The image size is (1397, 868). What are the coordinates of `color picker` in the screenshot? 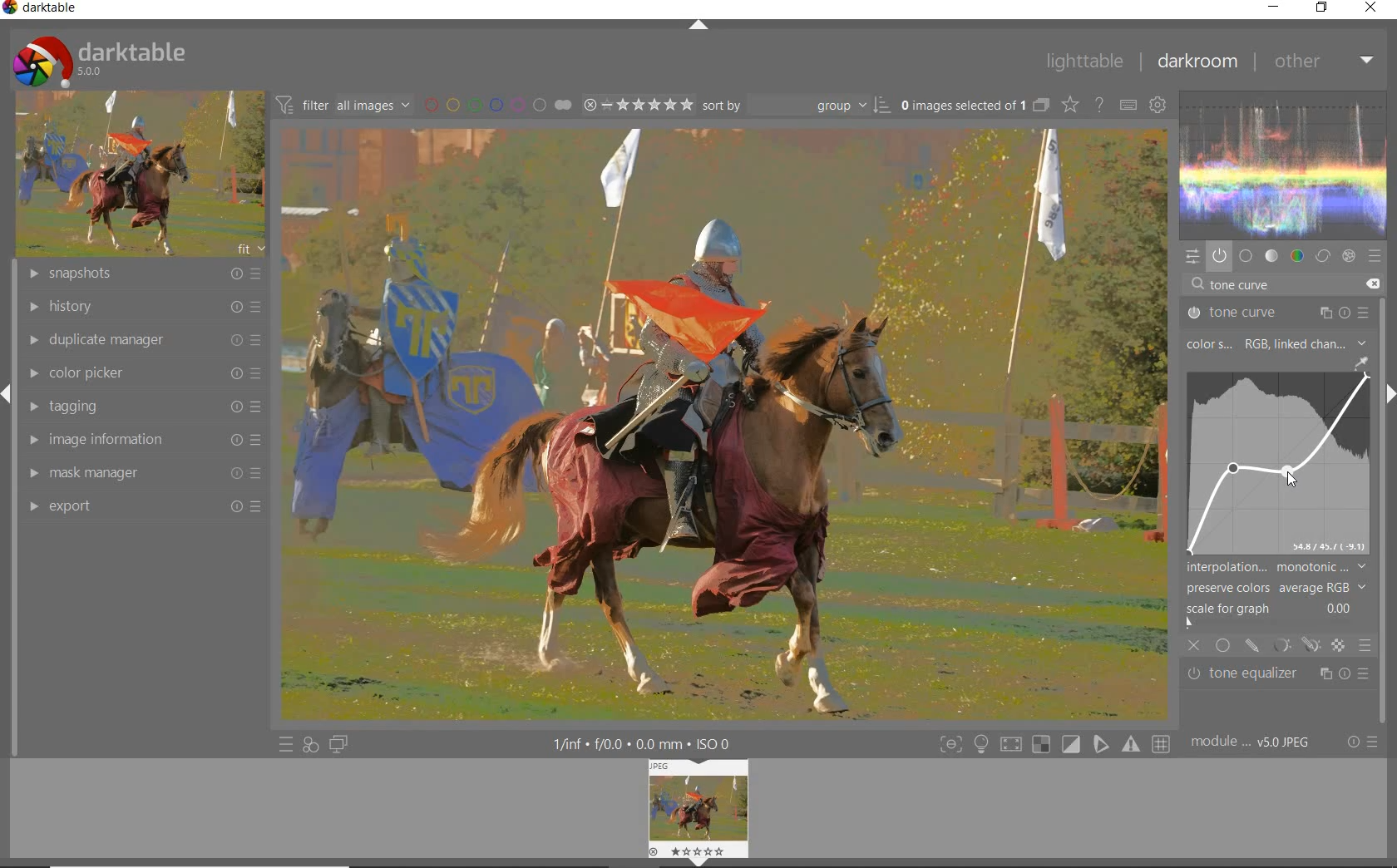 It's located at (142, 374).